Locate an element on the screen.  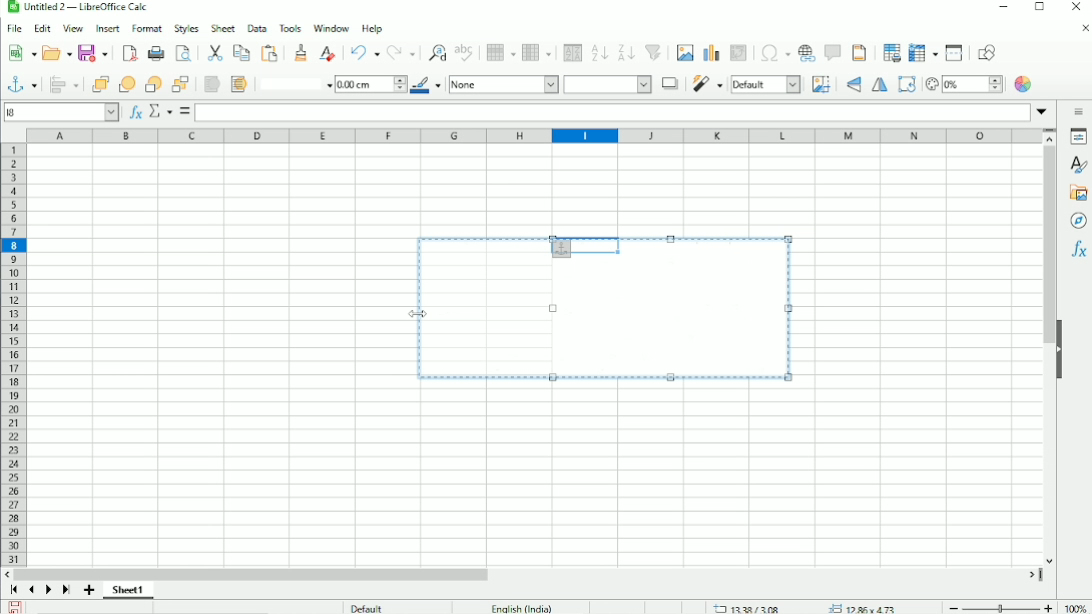
Current cell is located at coordinates (62, 111).